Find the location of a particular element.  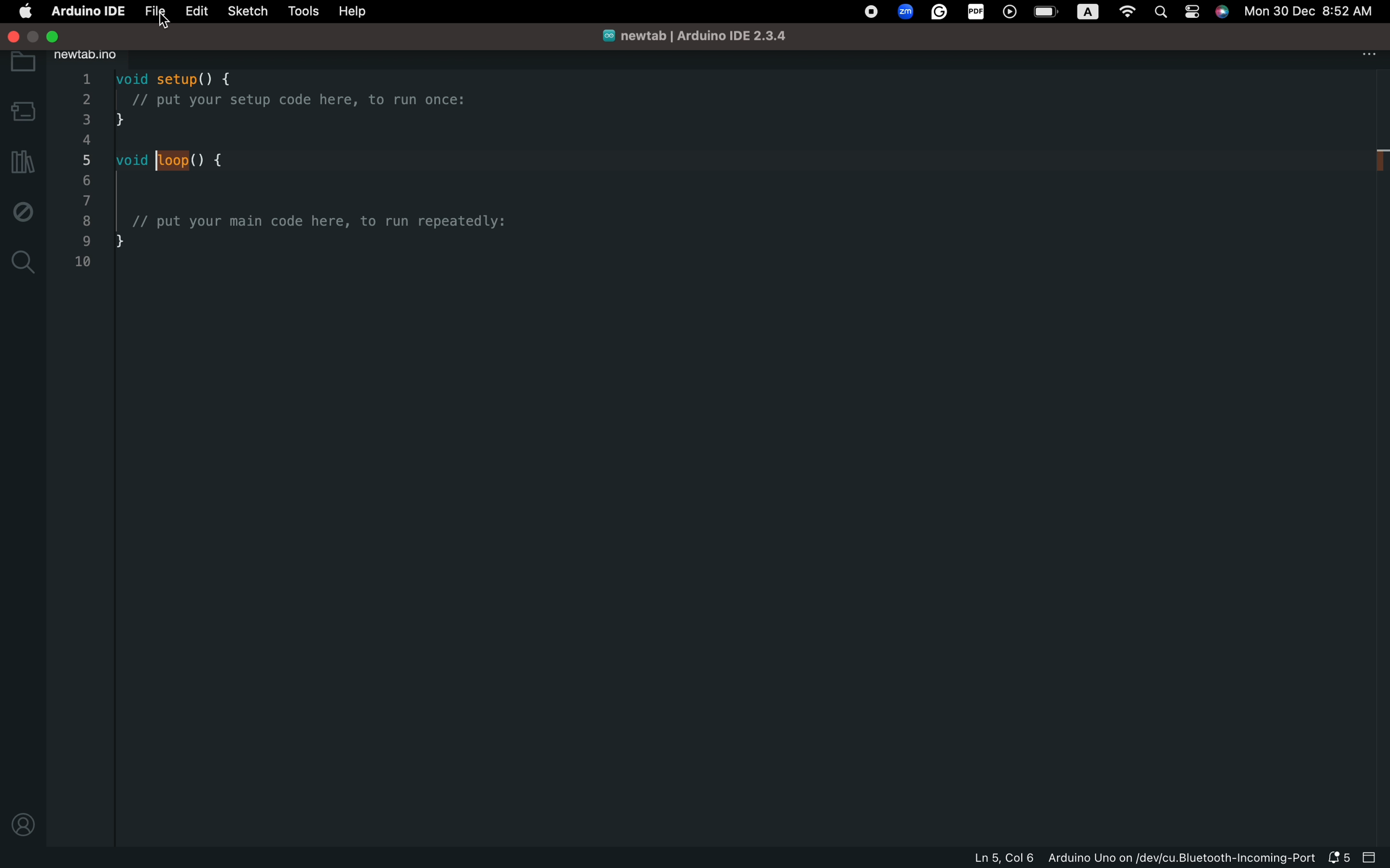

file is located at coordinates (152, 13).